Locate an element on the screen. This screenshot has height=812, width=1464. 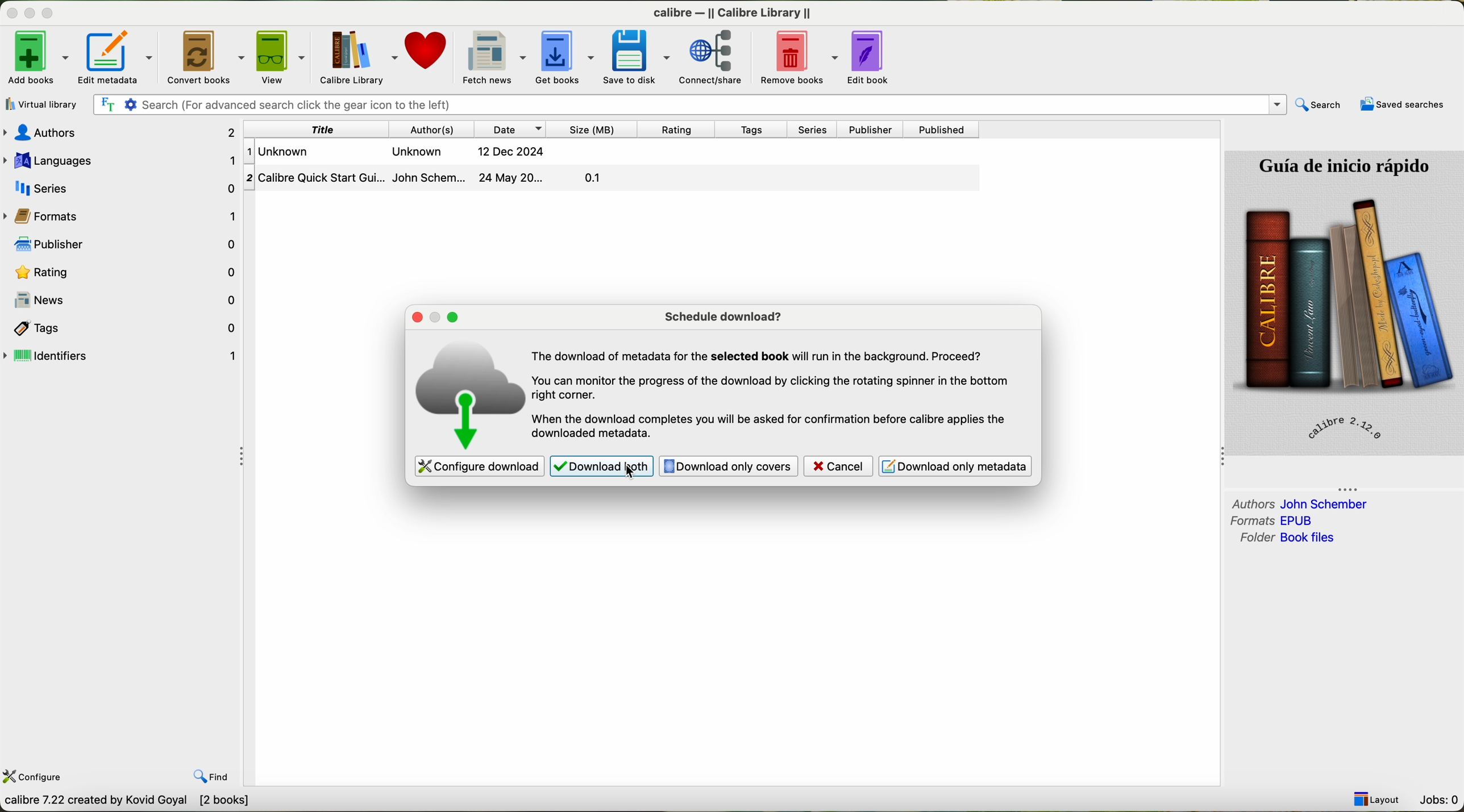
donate is located at coordinates (427, 50).